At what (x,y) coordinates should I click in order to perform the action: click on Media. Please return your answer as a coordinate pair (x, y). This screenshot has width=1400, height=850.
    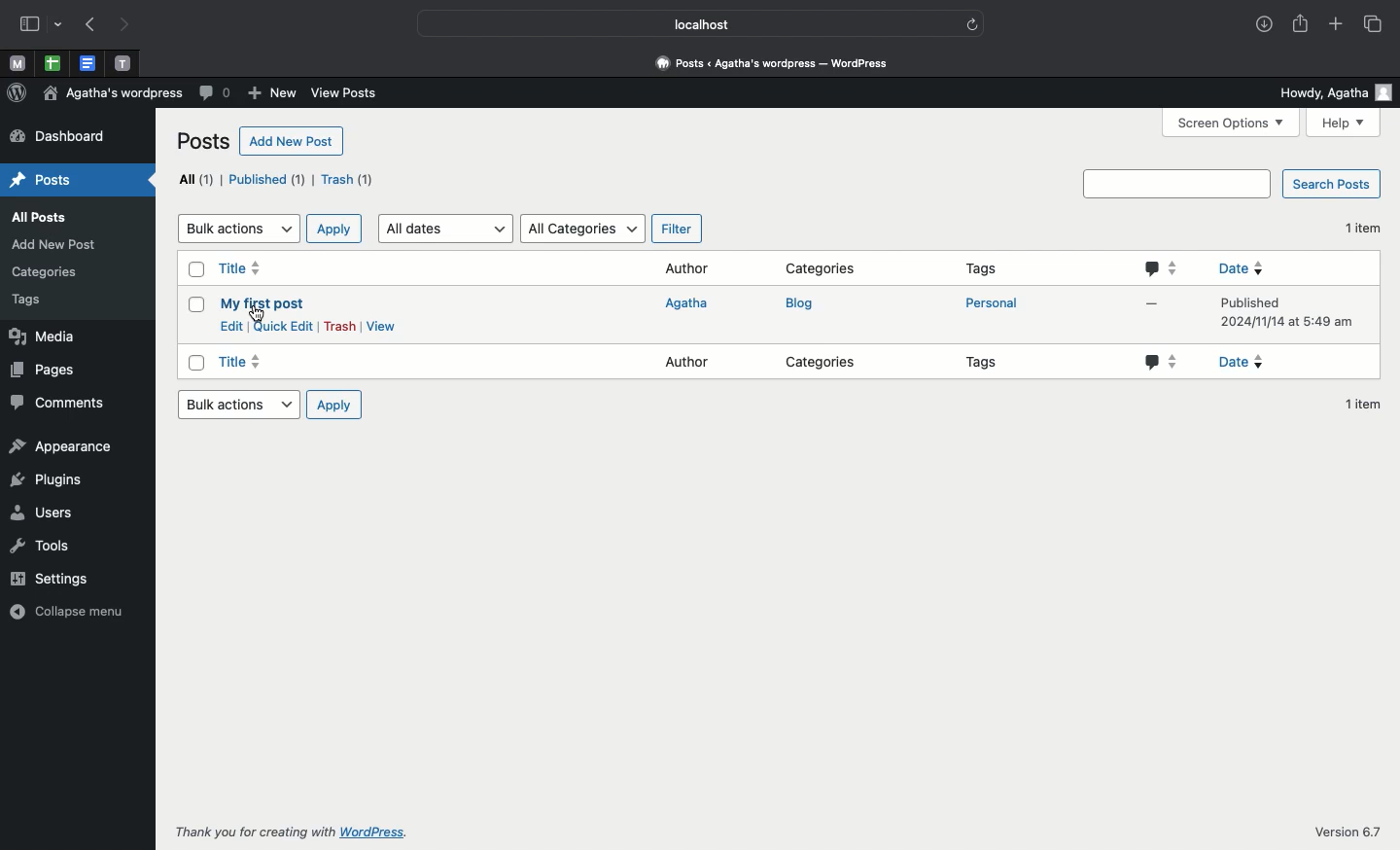
    Looking at the image, I should click on (54, 336).